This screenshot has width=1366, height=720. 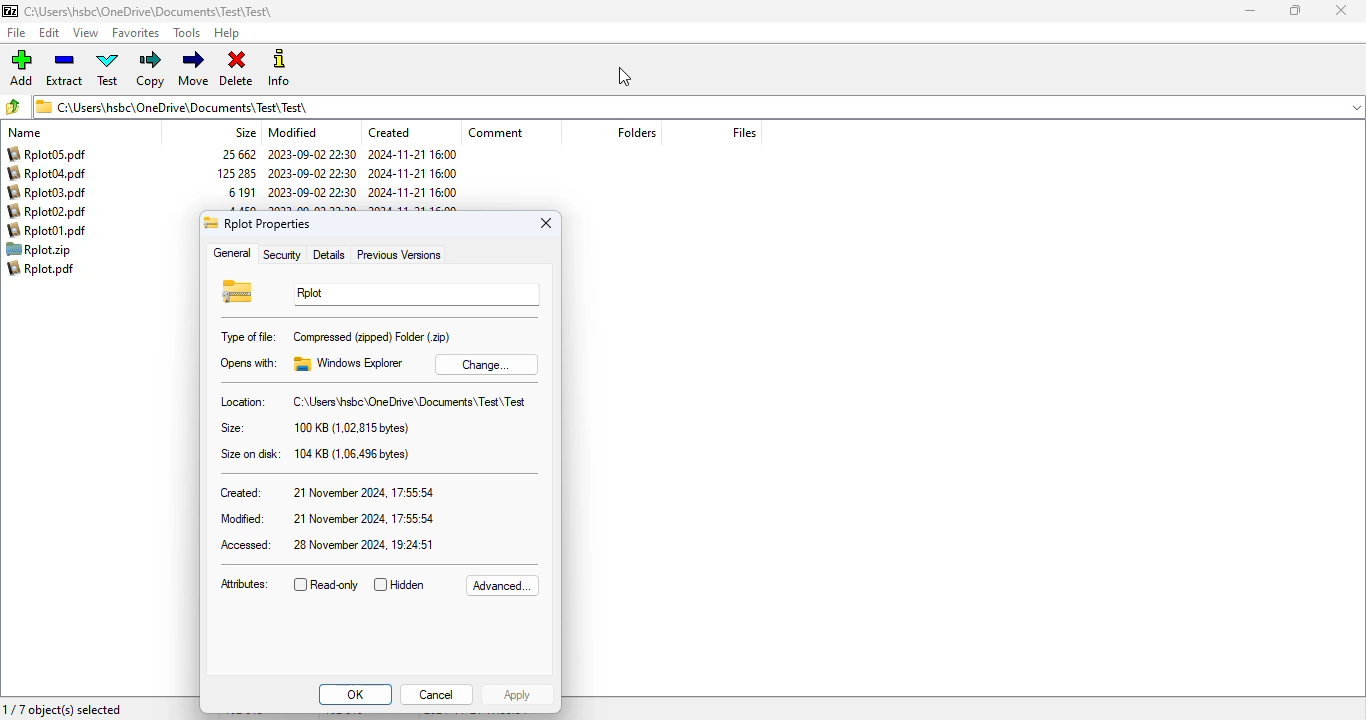 What do you see at coordinates (250, 337) in the screenshot?
I see `type of file:` at bounding box center [250, 337].